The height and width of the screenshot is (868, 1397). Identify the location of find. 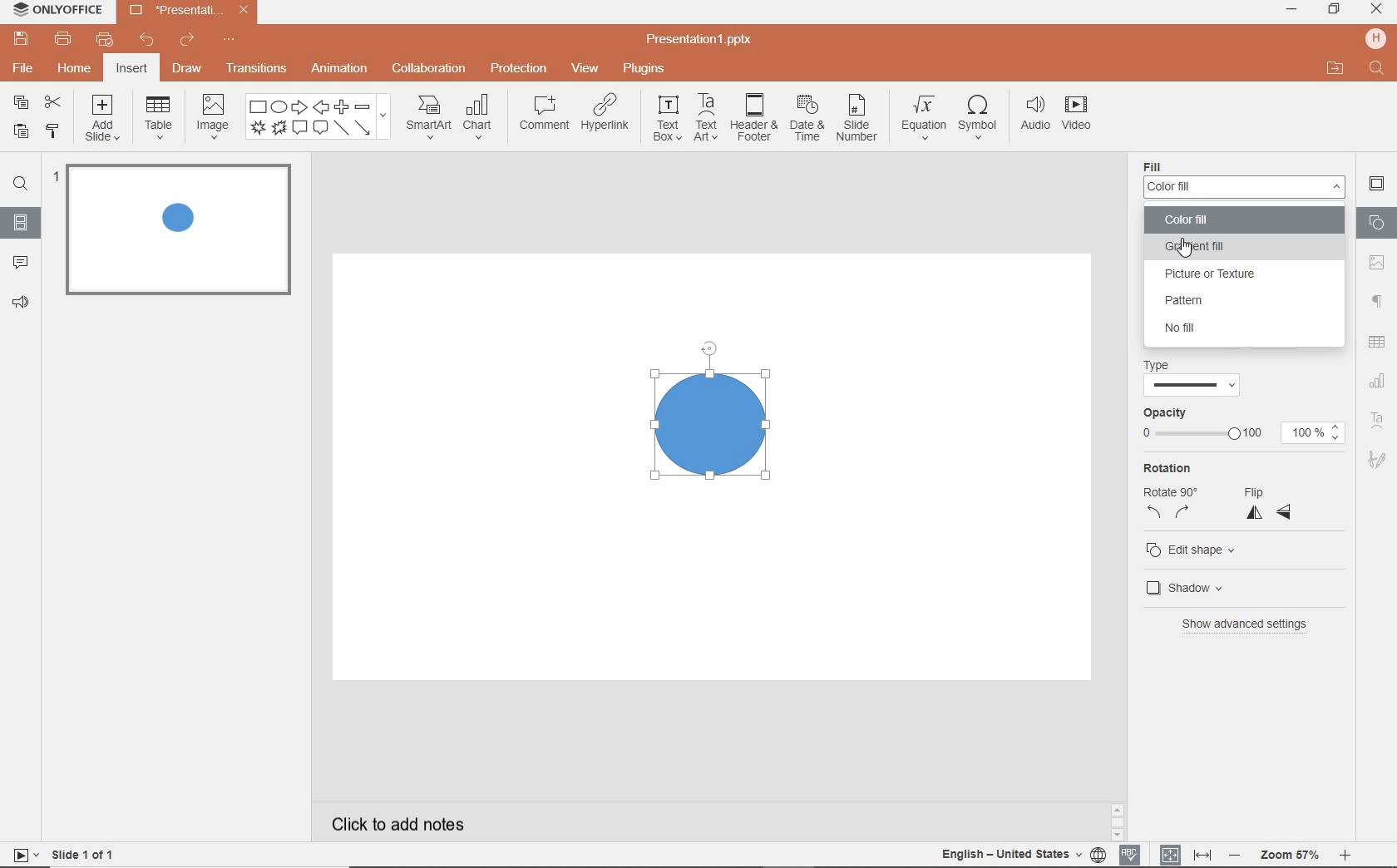
(20, 182).